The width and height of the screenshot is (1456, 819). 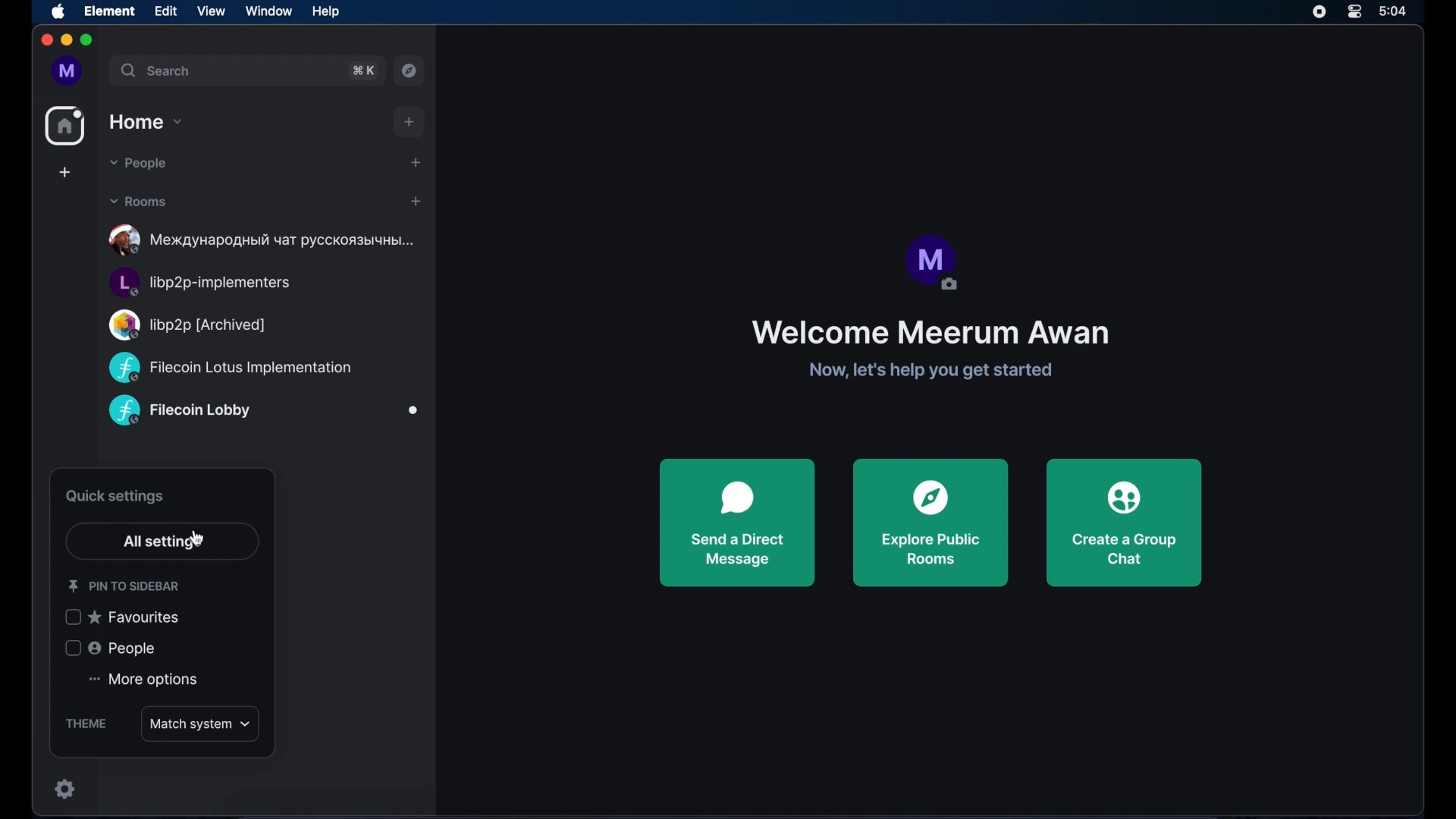 I want to click on minimize, so click(x=65, y=40).